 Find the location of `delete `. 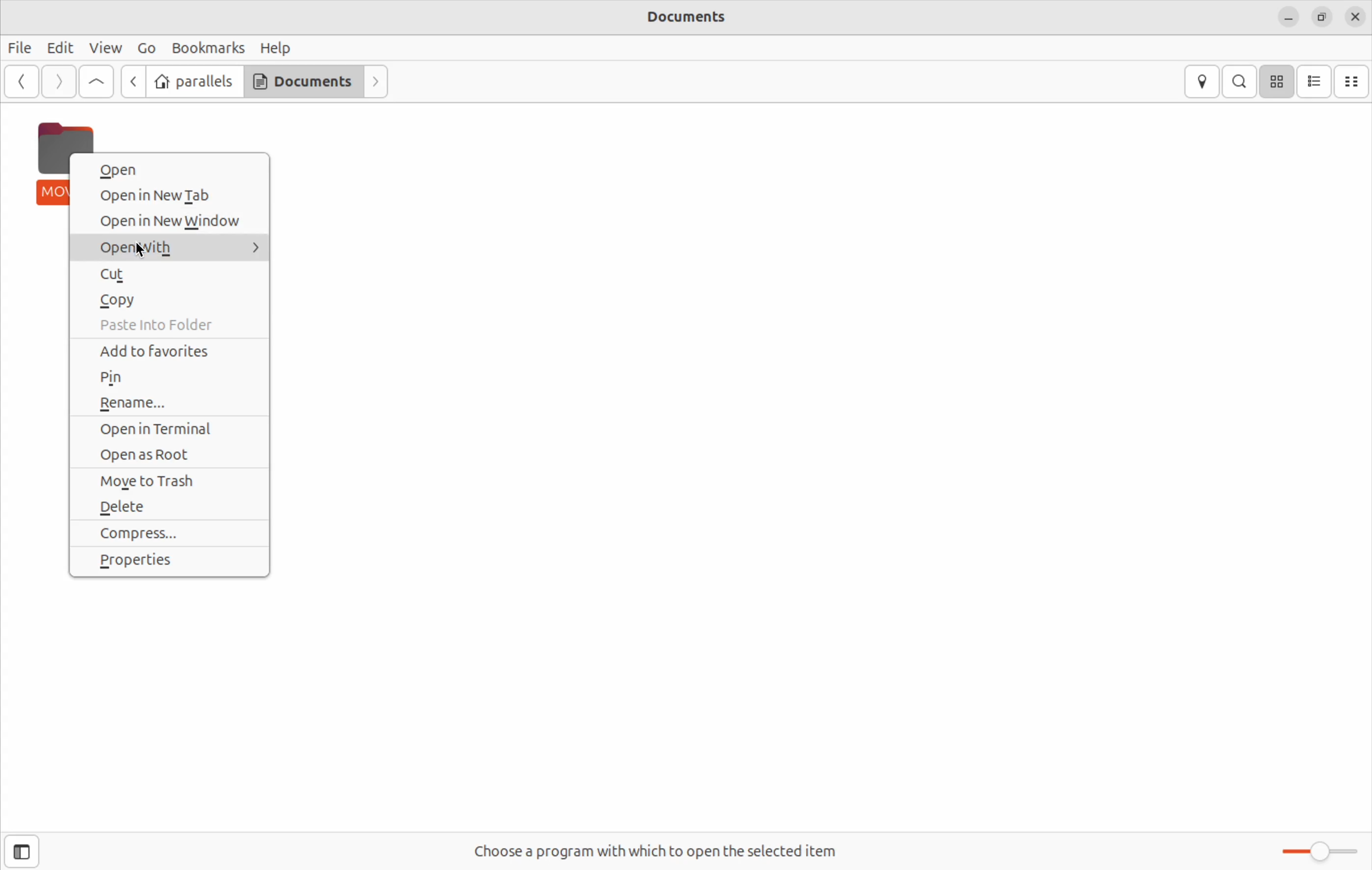

delete  is located at coordinates (166, 508).